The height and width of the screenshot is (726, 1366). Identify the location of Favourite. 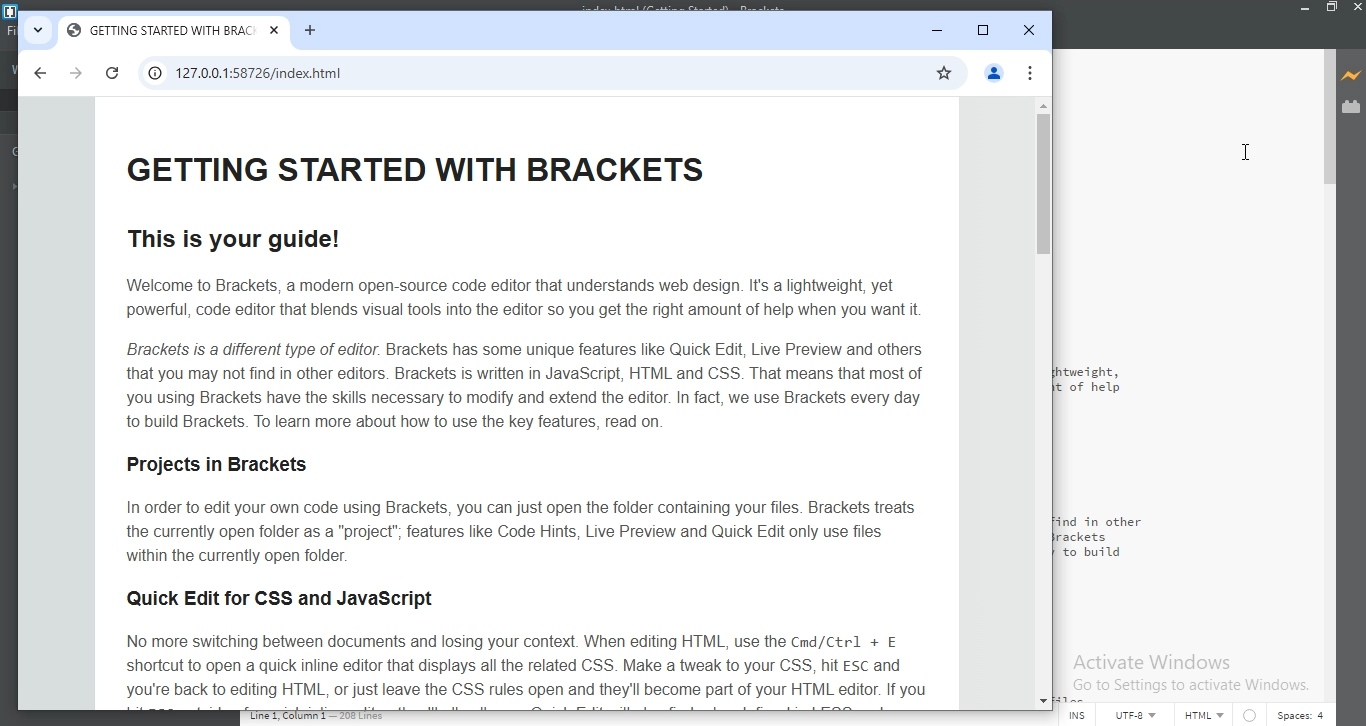
(944, 75).